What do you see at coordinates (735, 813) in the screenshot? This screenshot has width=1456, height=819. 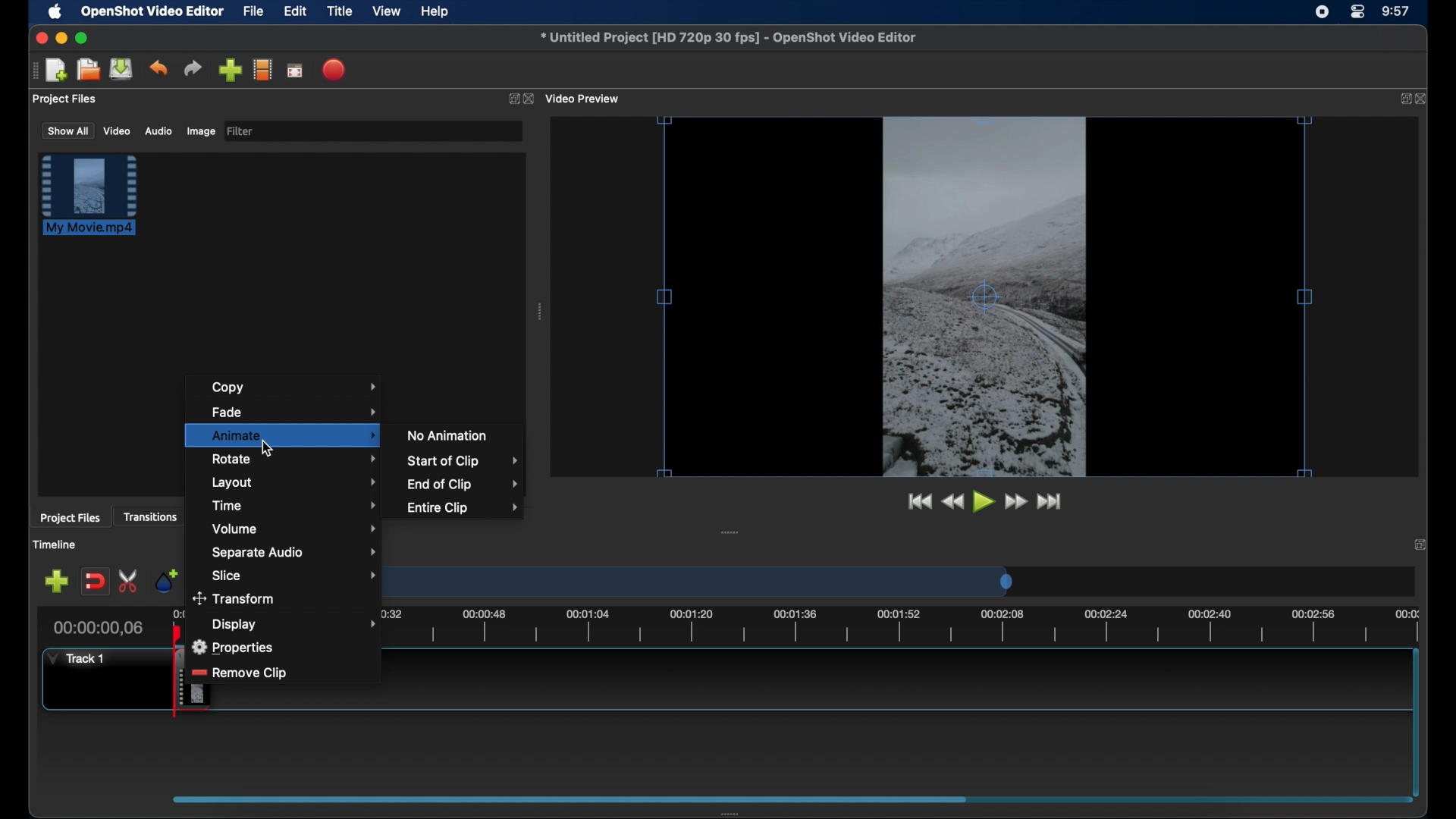 I see `drag handle` at bounding box center [735, 813].